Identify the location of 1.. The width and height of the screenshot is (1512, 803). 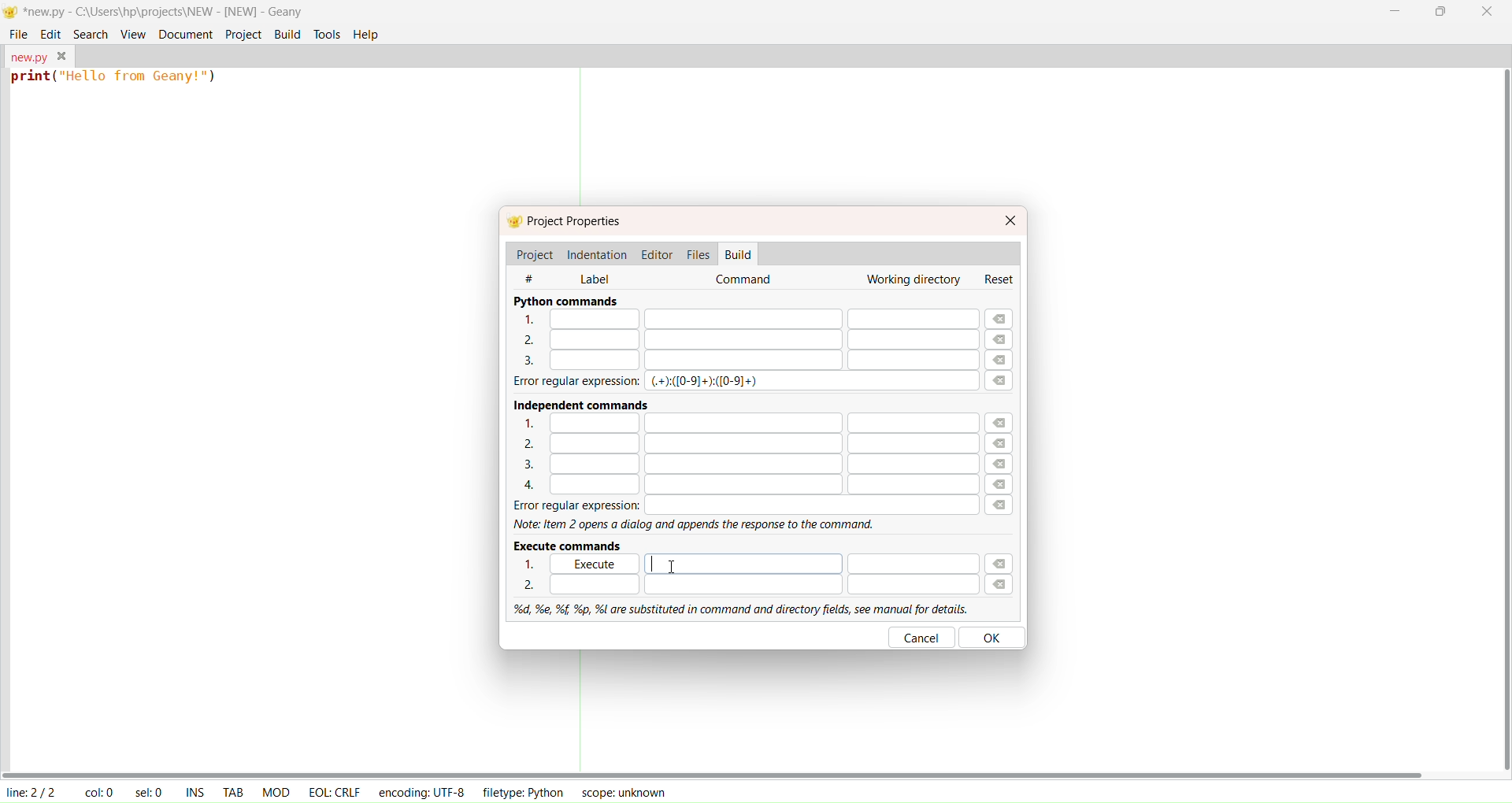
(739, 422).